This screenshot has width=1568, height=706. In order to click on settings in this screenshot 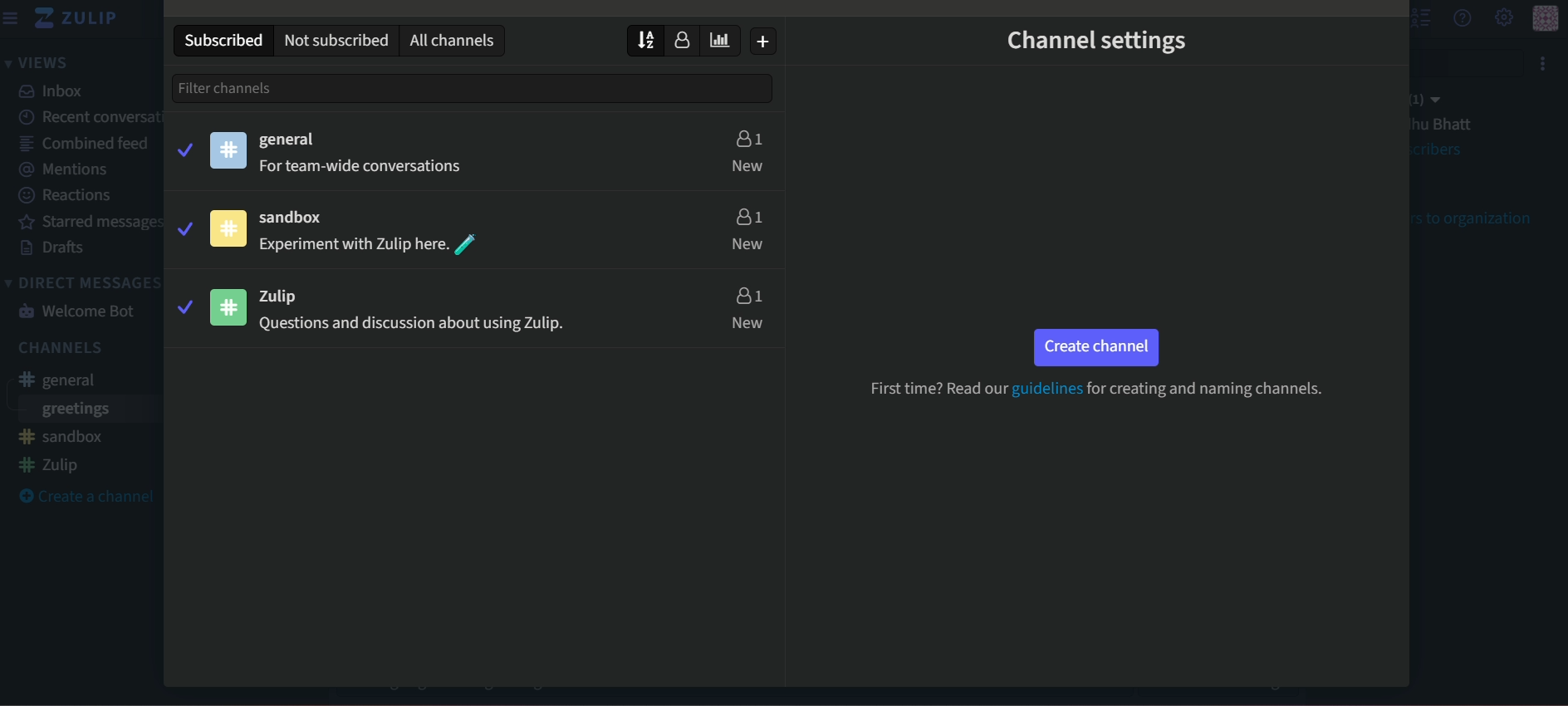, I will do `click(1505, 19)`.